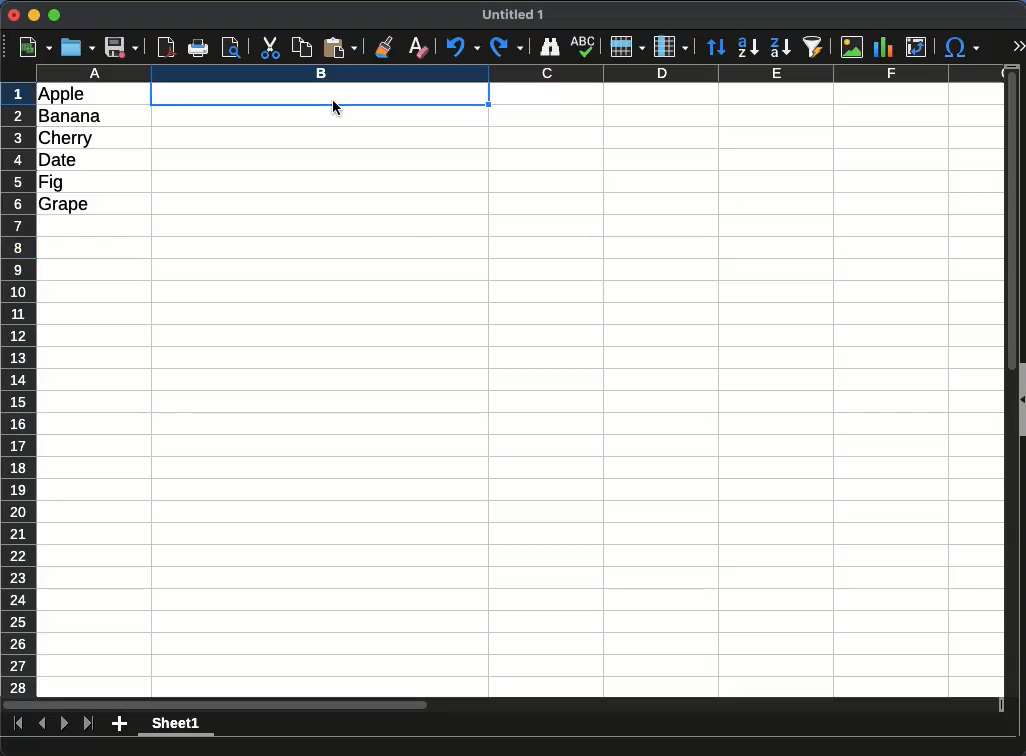 The image size is (1026, 756). Describe the element at coordinates (198, 48) in the screenshot. I see `print` at that location.